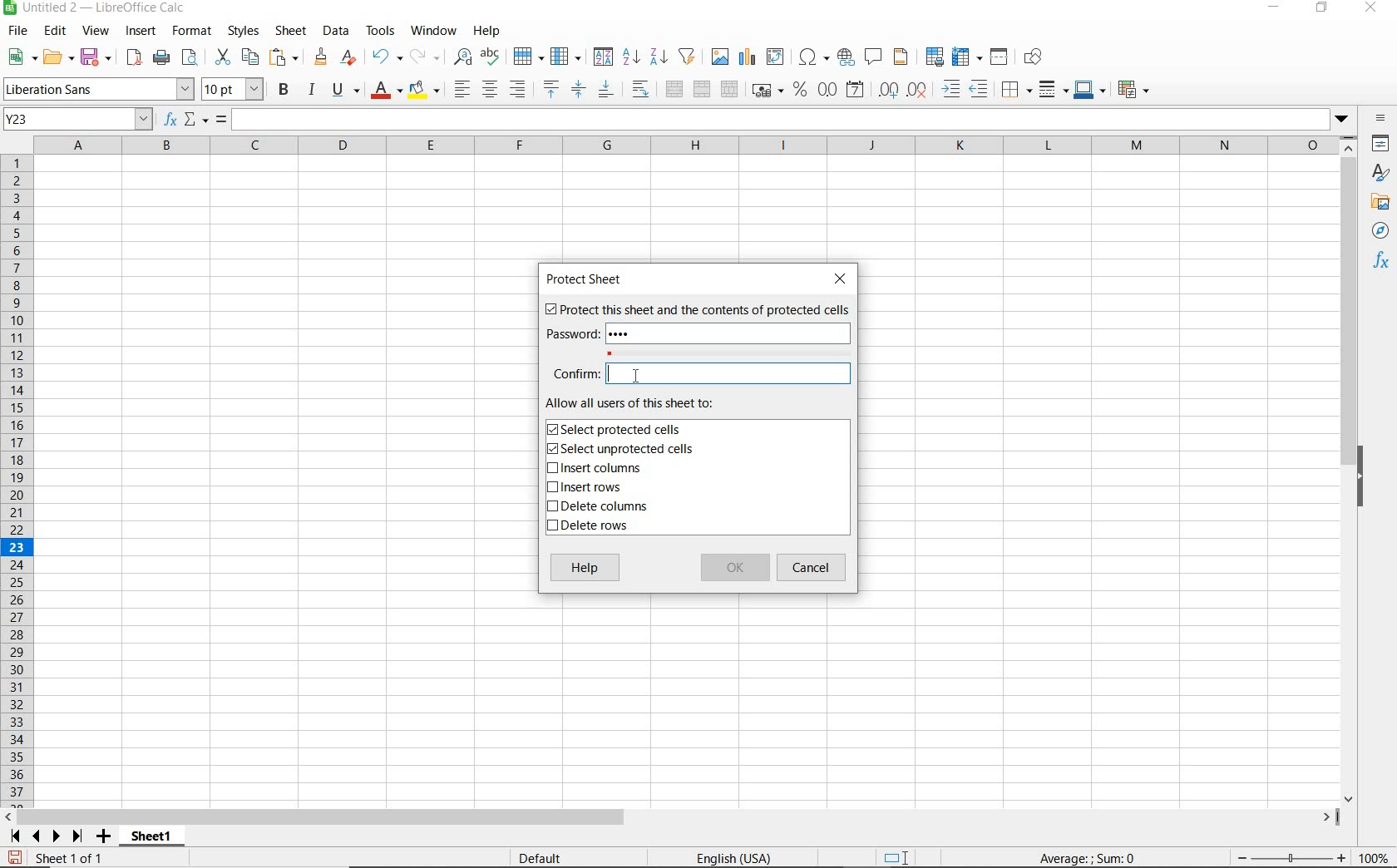 The image size is (1397, 868). What do you see at coordinates (47, 836) in the screenshot?
I see `SCROLL TO NEXT SHEET` at bounding box center [47, 836].